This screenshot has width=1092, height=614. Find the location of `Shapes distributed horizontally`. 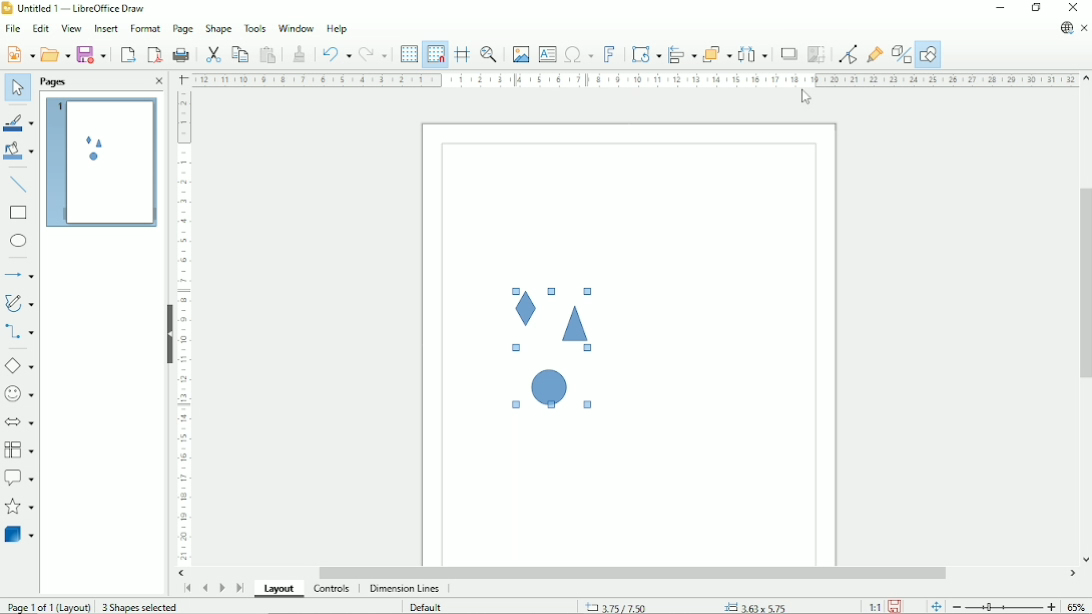

Shapes distributed horizontally is located at coordinates (554, 347).